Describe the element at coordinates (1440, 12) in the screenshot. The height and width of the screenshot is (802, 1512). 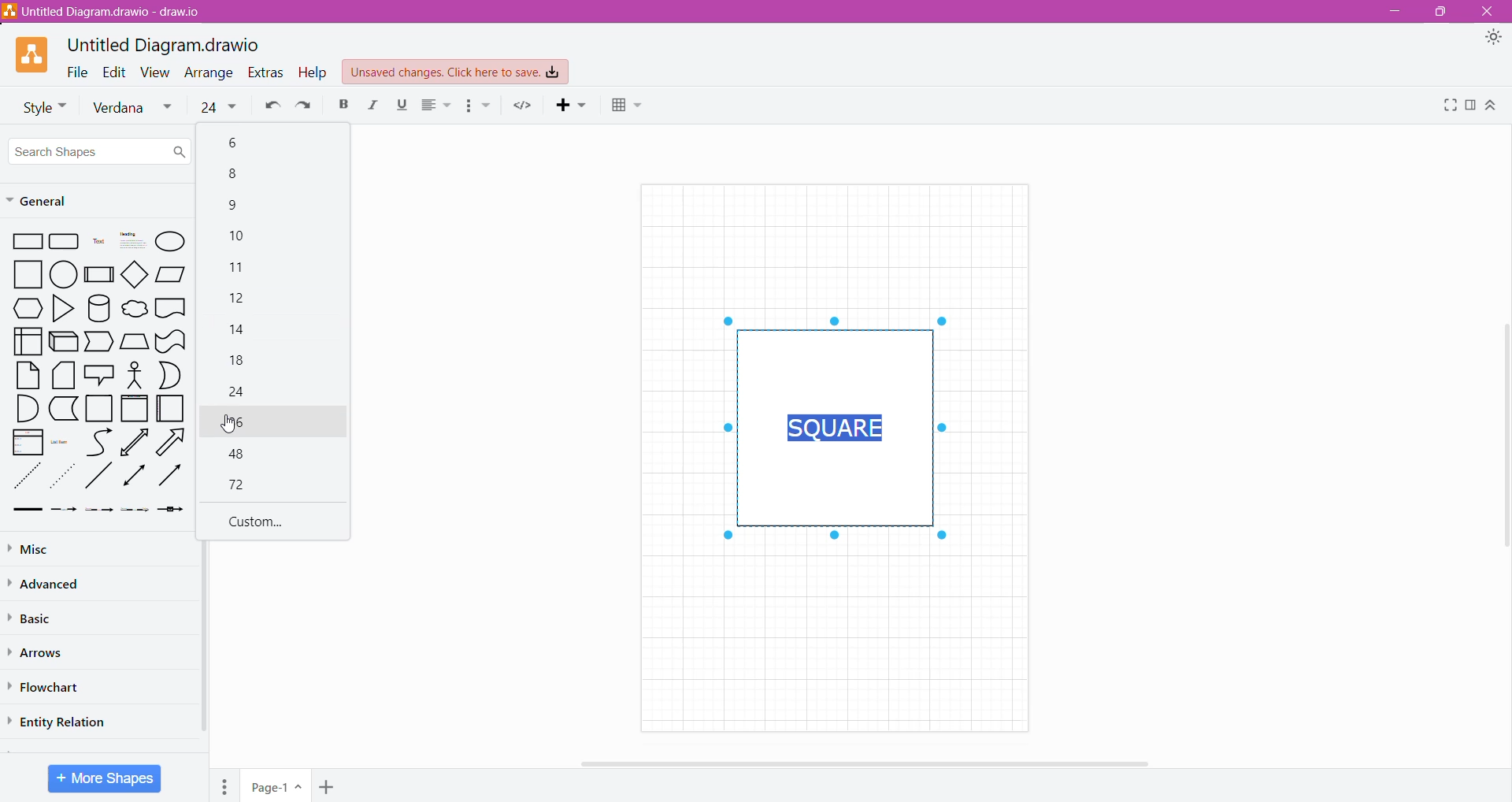
I see `Restore Down` at that location.